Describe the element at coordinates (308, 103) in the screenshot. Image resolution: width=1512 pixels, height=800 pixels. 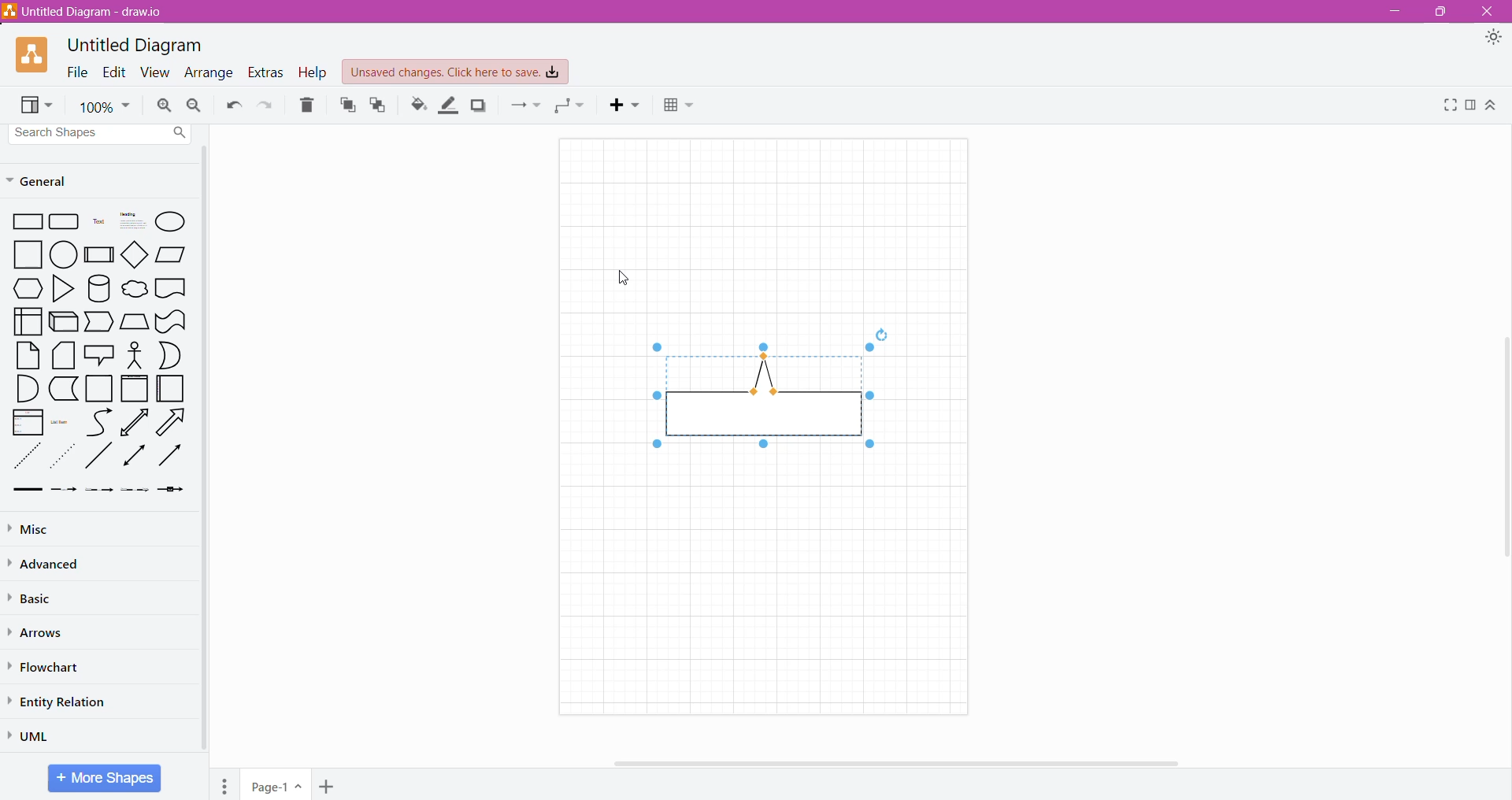
I see `Delete` at that location.